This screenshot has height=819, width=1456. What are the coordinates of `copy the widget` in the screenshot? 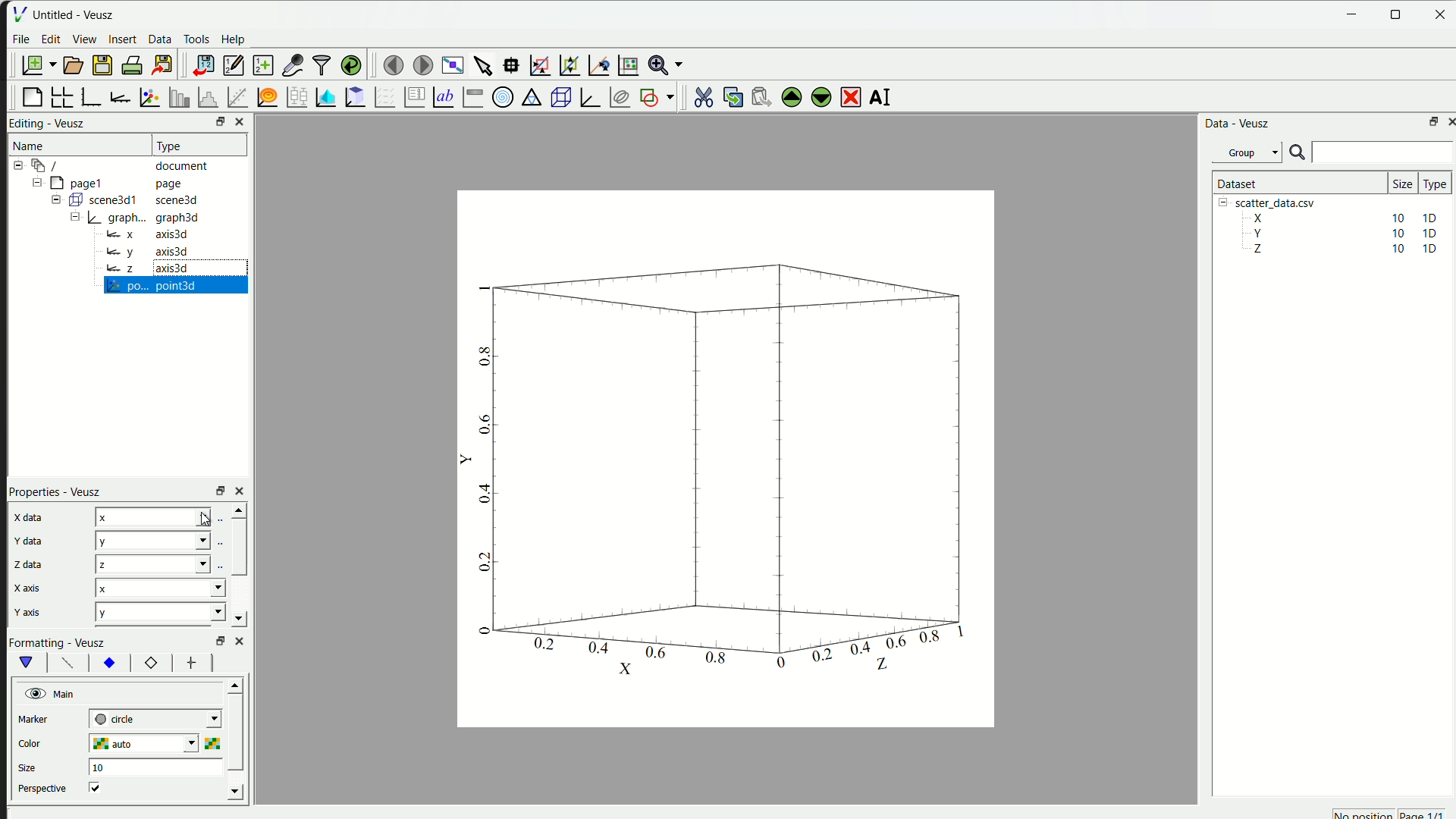 It's located at (730, 97).